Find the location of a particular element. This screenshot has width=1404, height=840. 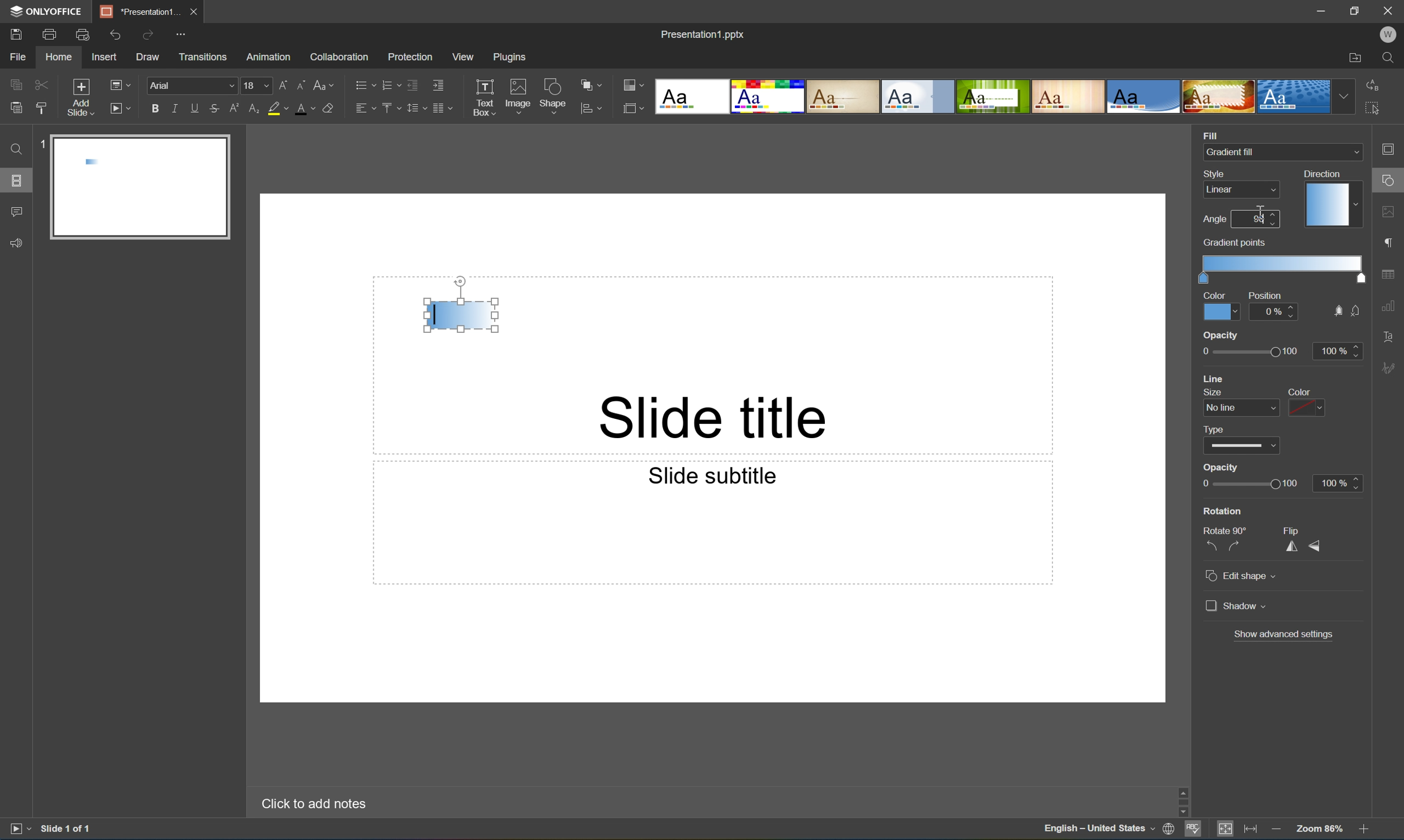

Rotate 90° is located at coordinates (1226, 529).